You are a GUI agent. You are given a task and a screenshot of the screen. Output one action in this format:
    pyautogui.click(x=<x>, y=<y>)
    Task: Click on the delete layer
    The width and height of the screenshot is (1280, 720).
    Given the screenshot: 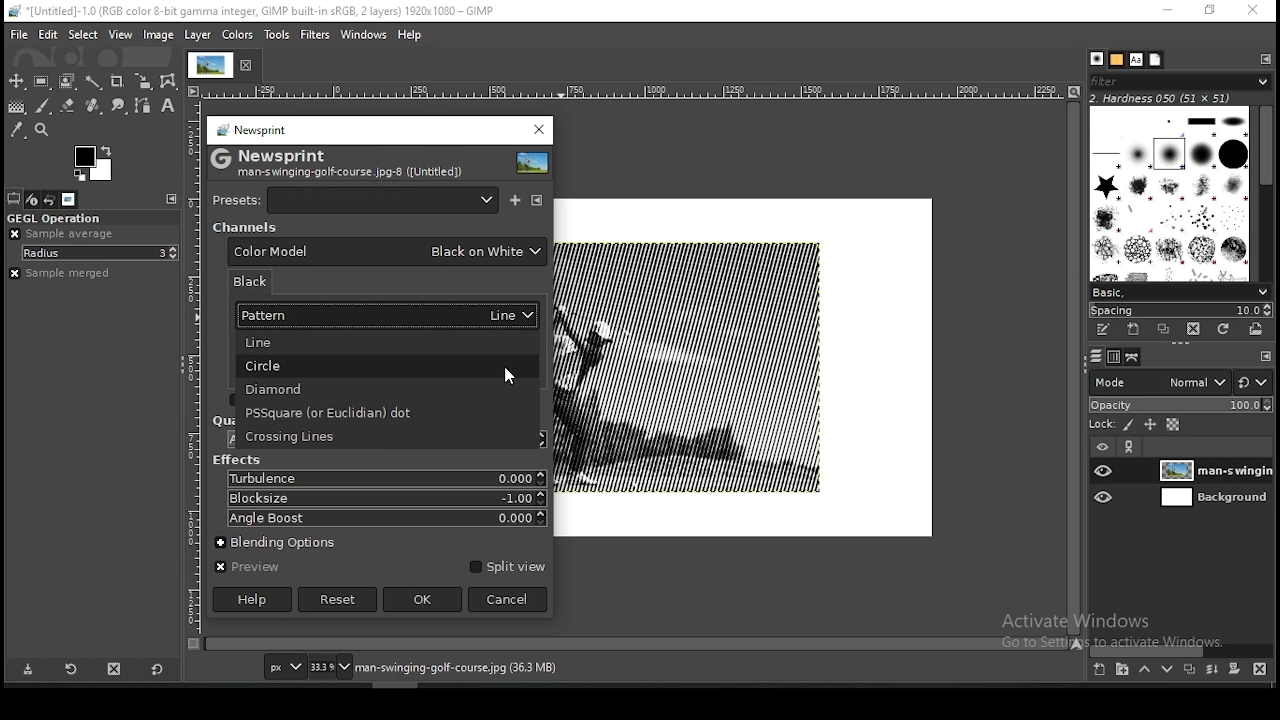 What is the action you would take?
    pyautogui.click(x=1264, y=669)
    